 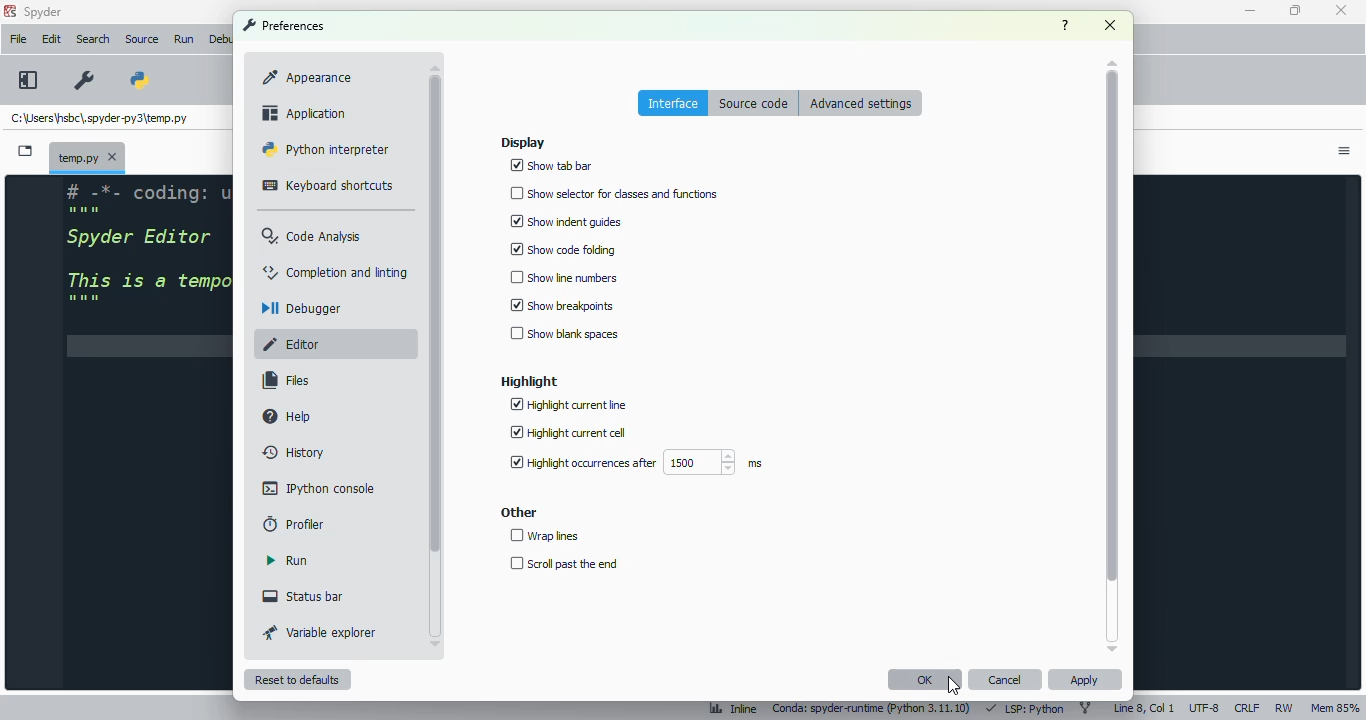 What do you see at coordinates (615, 193) in the screenshot?
I see `show selector for classes and functions` at bounding box center [615, 193].